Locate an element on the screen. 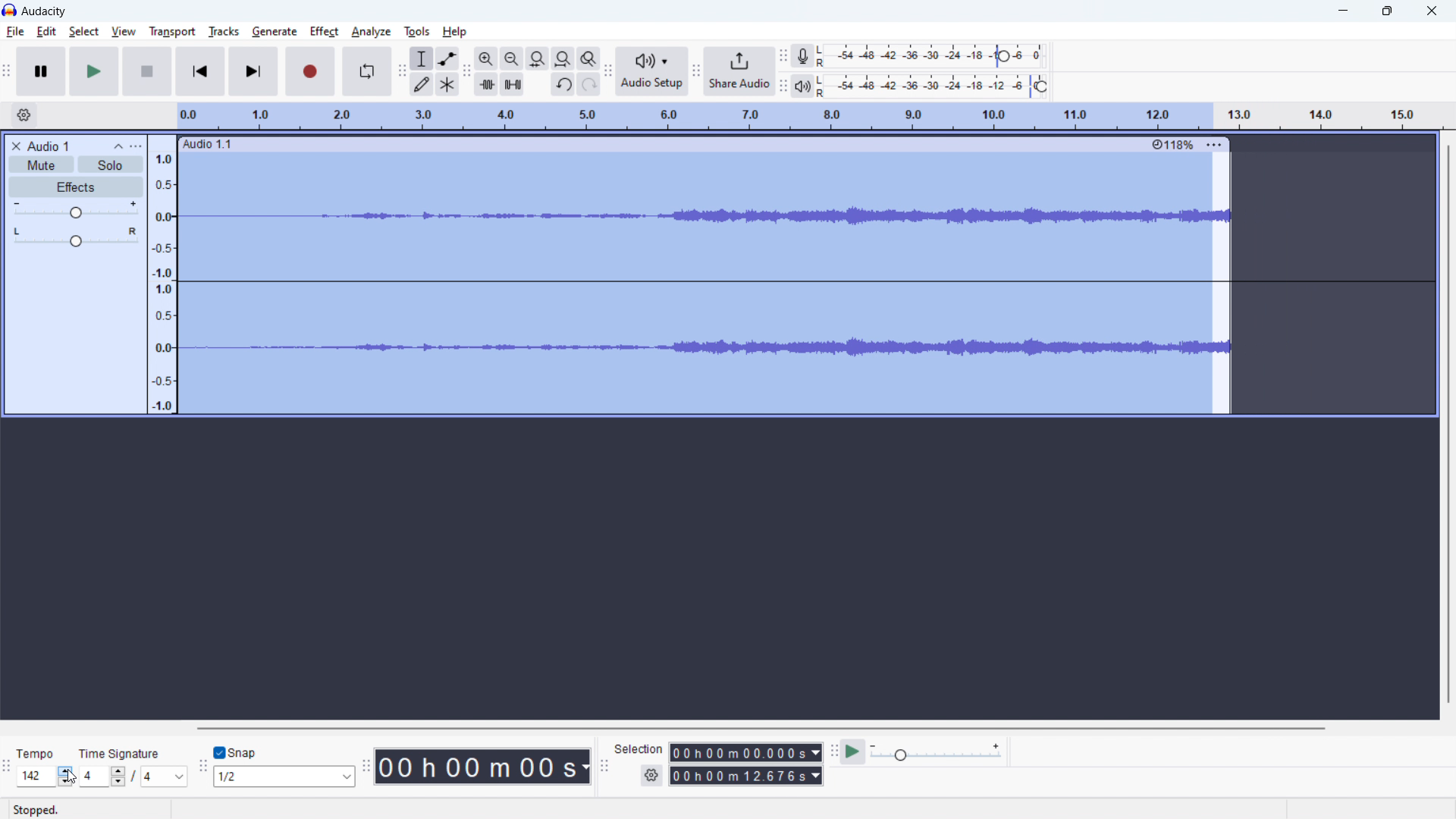 This screenshot has height=819, width=1456. mute is located at coordinates (42, 165).